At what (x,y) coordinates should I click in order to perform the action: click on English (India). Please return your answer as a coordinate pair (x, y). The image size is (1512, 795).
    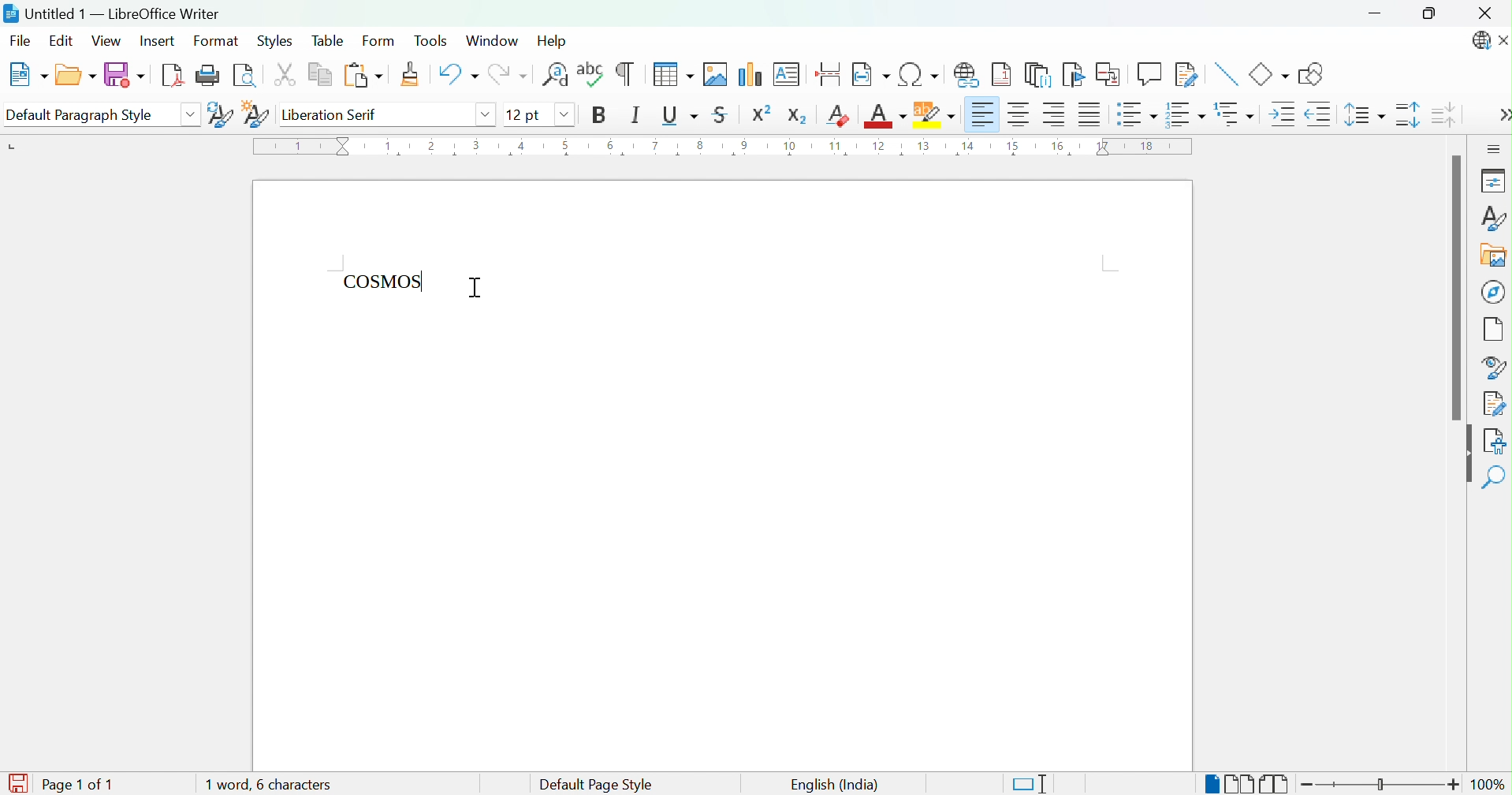
    Looking at the image, I should click on (833, 784).